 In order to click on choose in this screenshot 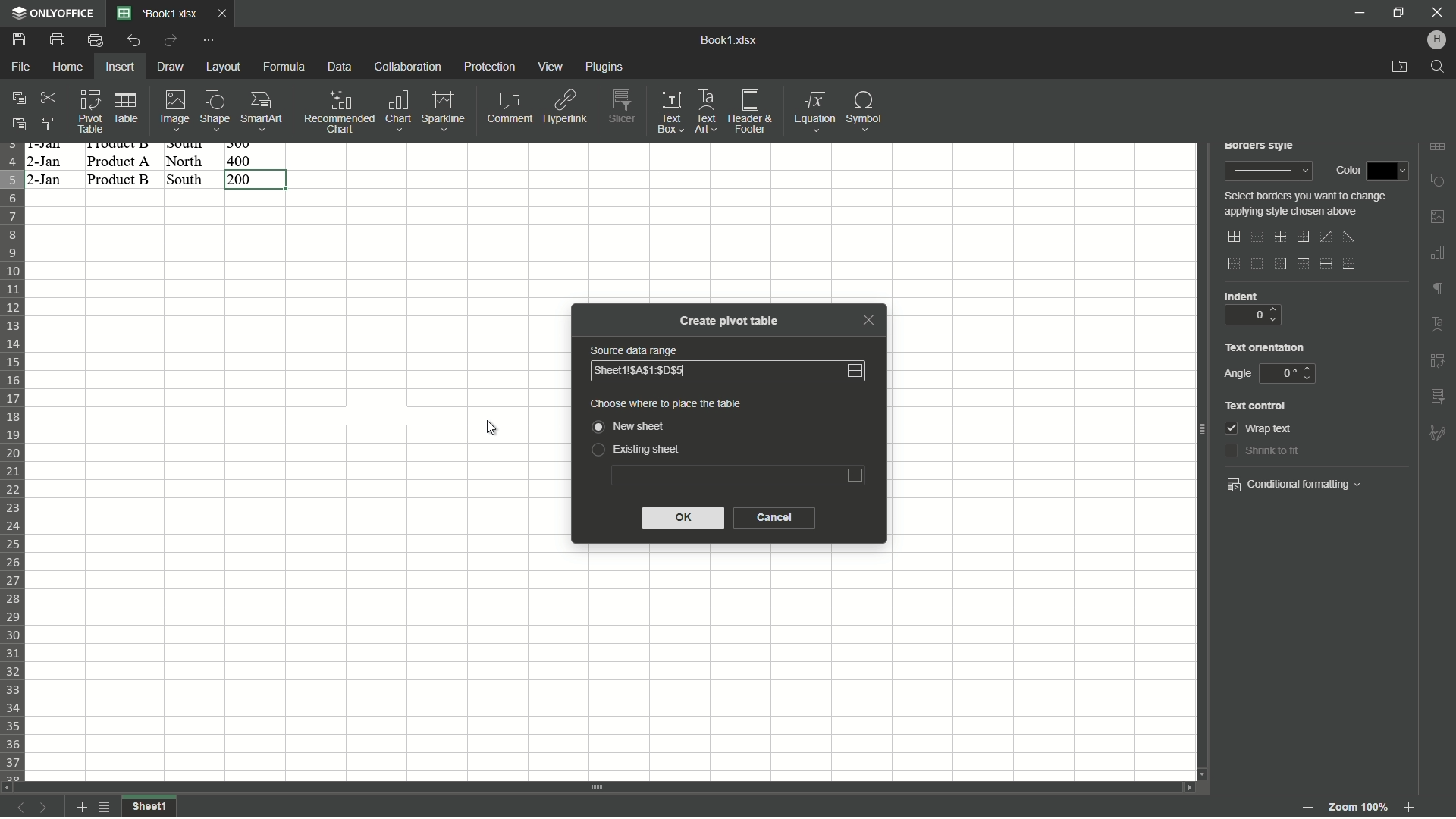, I will do `click(663, 403)`.